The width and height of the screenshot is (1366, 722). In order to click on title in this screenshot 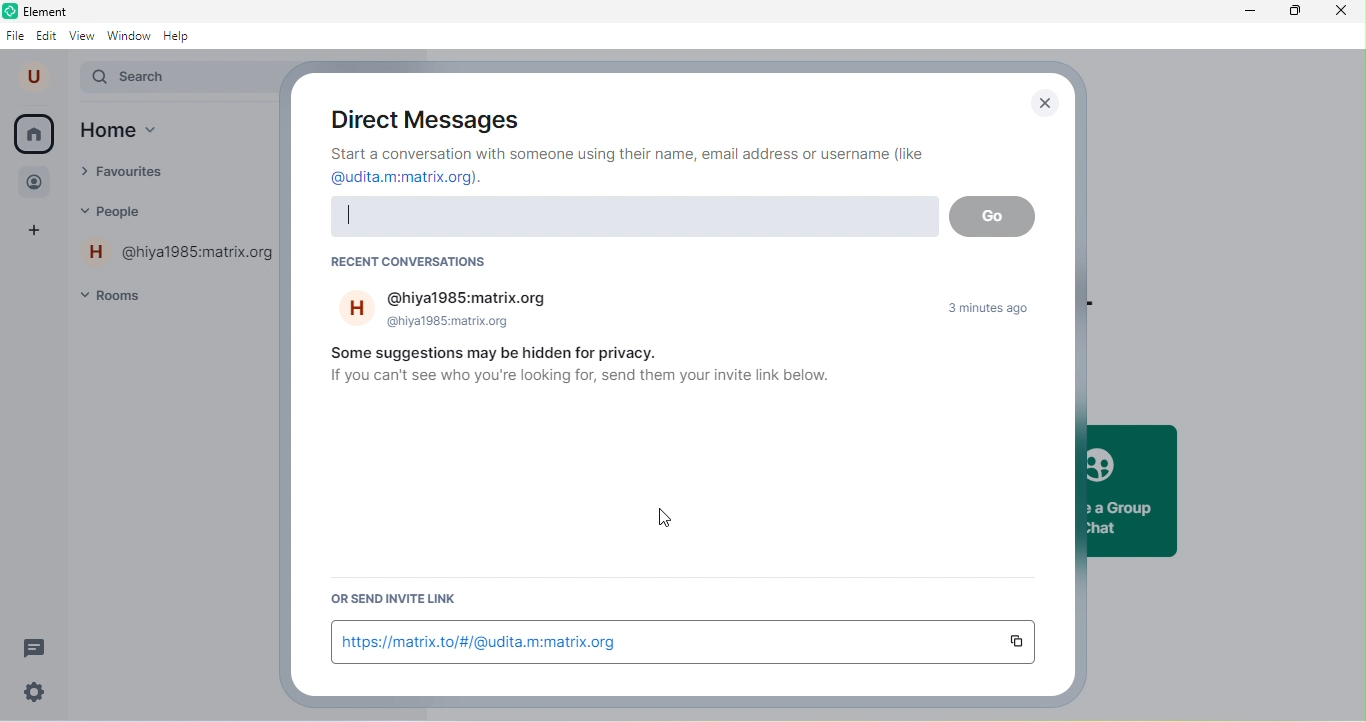, I will do `click(60, 10)`.